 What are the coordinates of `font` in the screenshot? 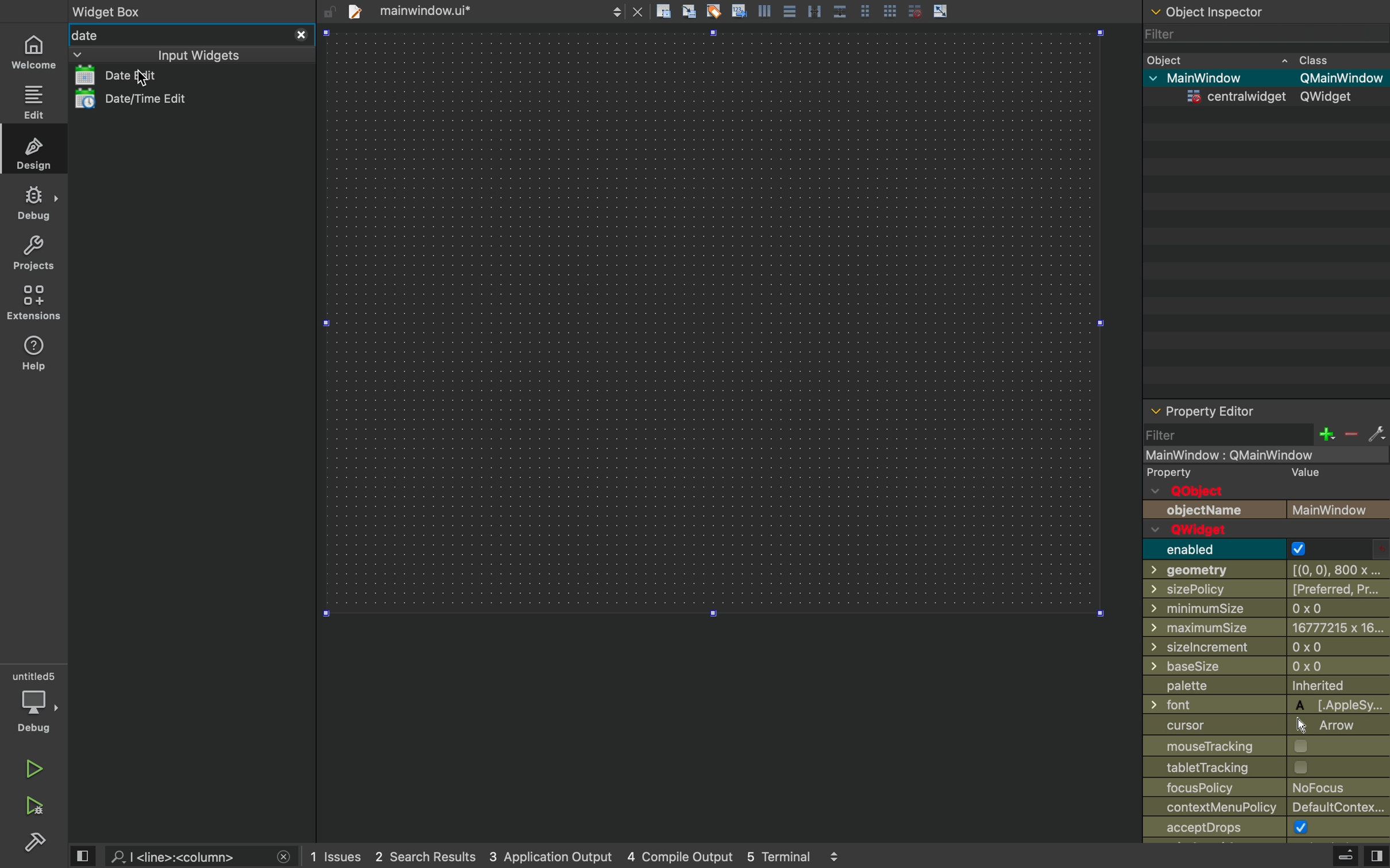 It's located at (1269, 705).